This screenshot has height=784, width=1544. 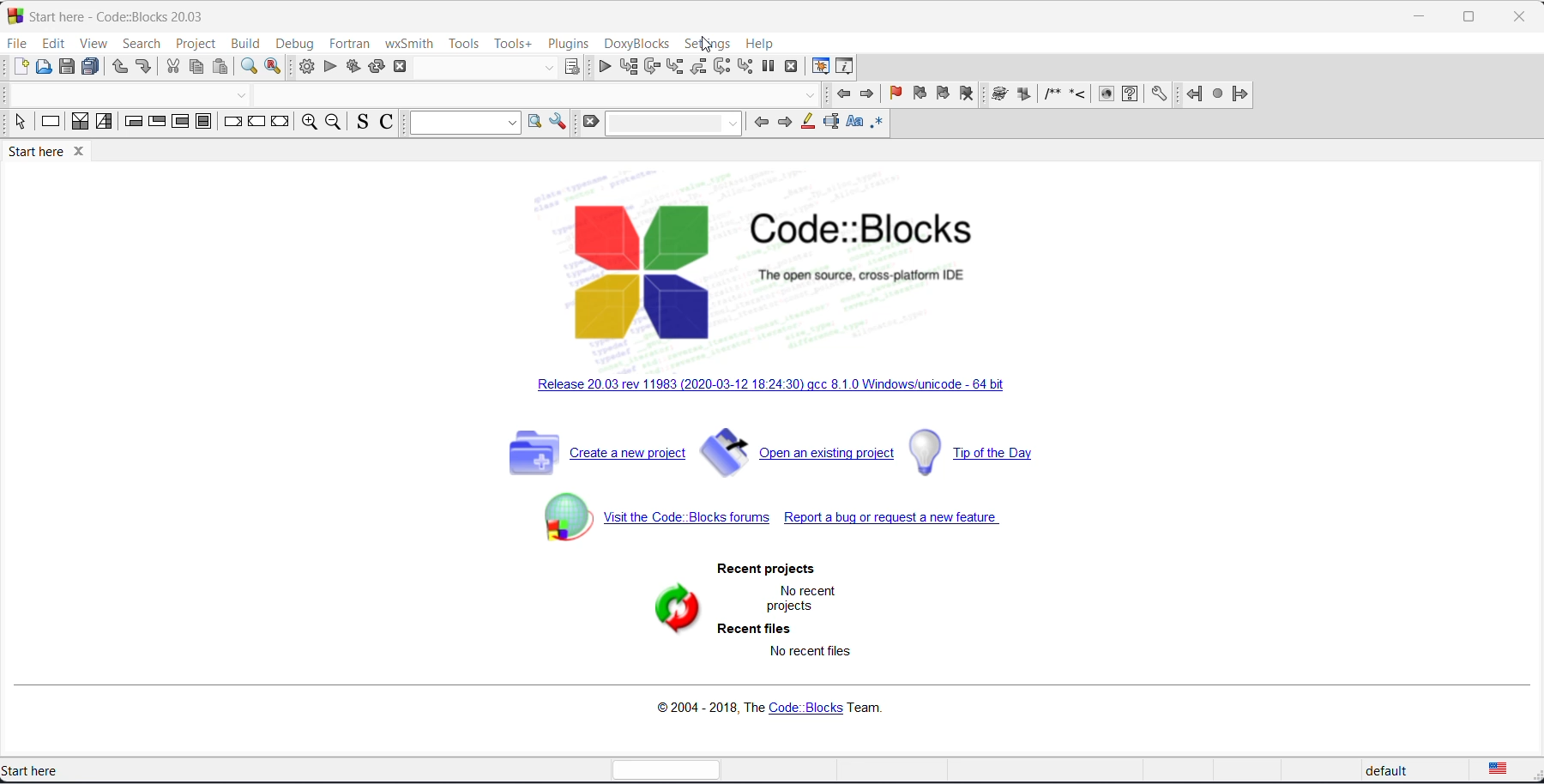 What do you see at coordinates (53, 43) in the screenshot?
I see `edit` at bounding box center [53, 43].